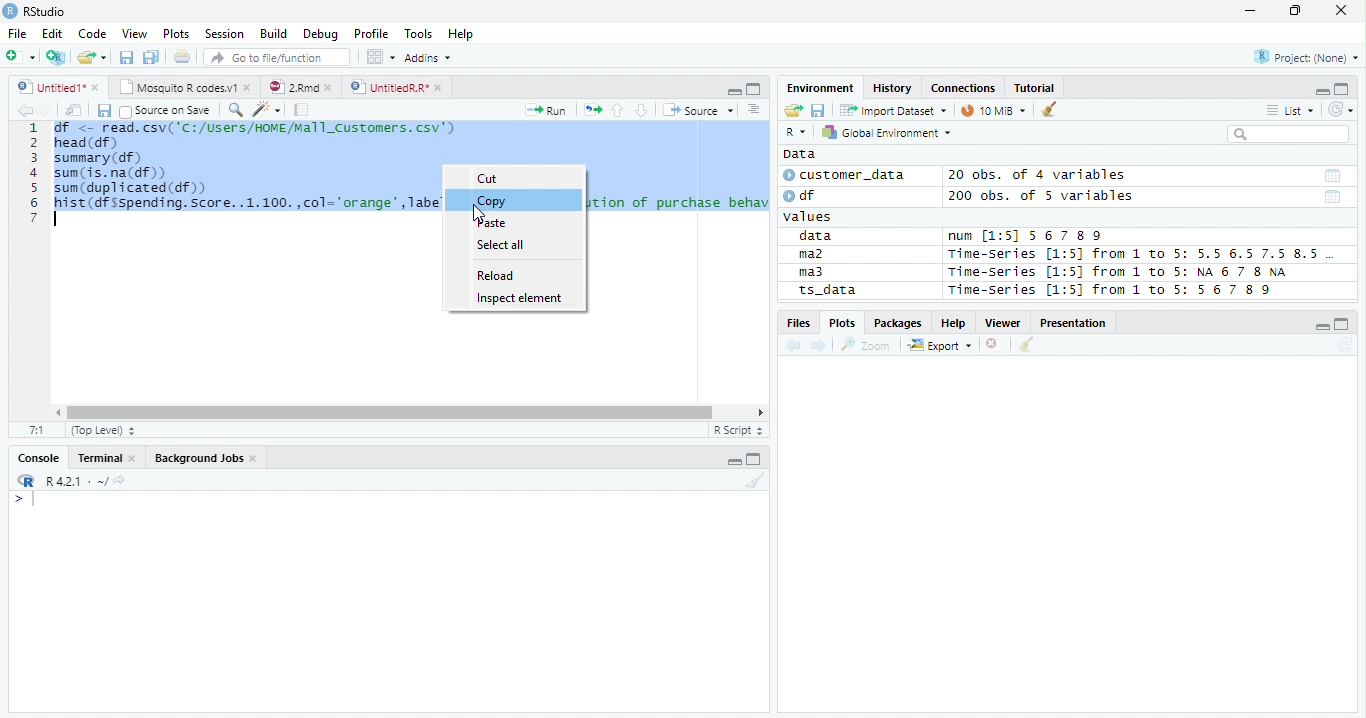  I want to click on Show document outline, so click(752, 109).